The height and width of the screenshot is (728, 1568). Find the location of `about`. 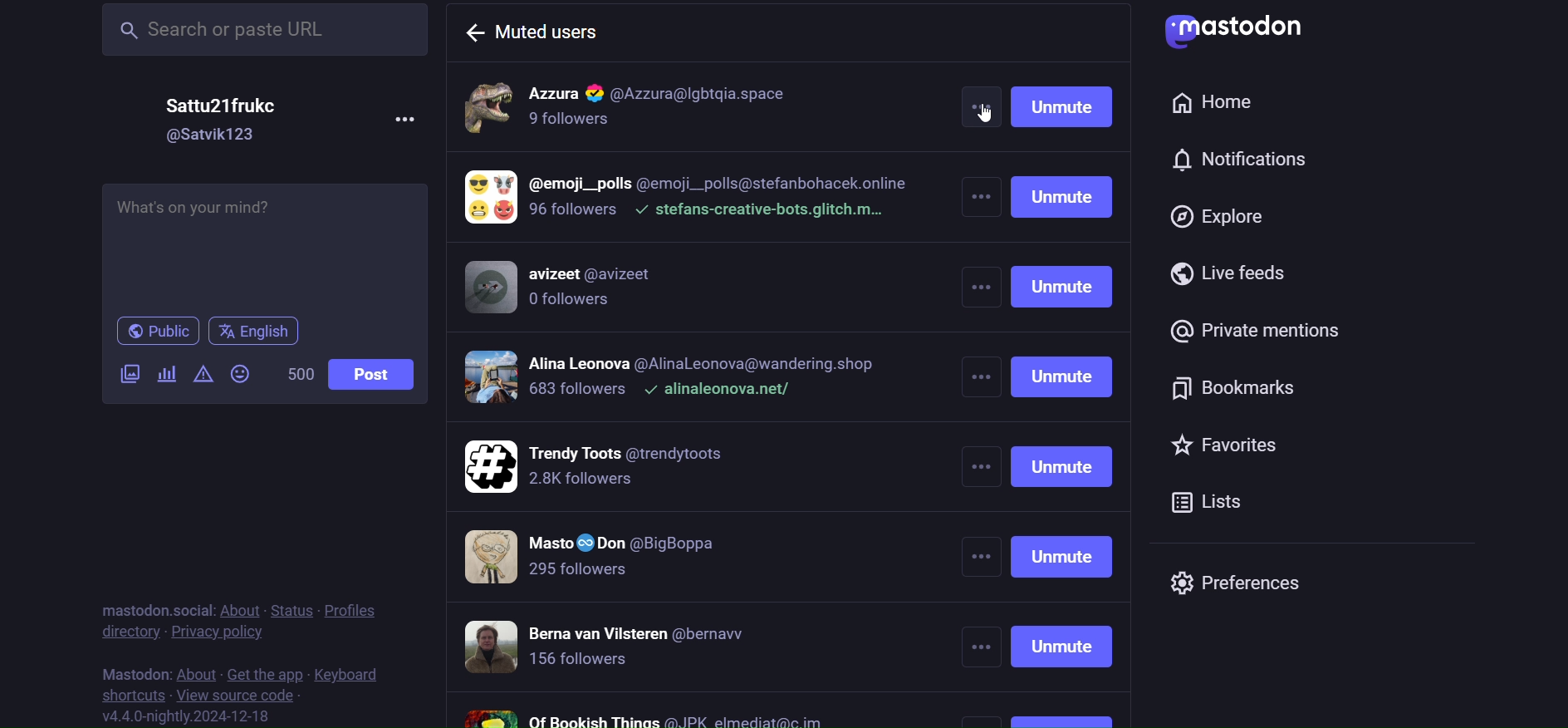

about is located at coordinates (196, 671).